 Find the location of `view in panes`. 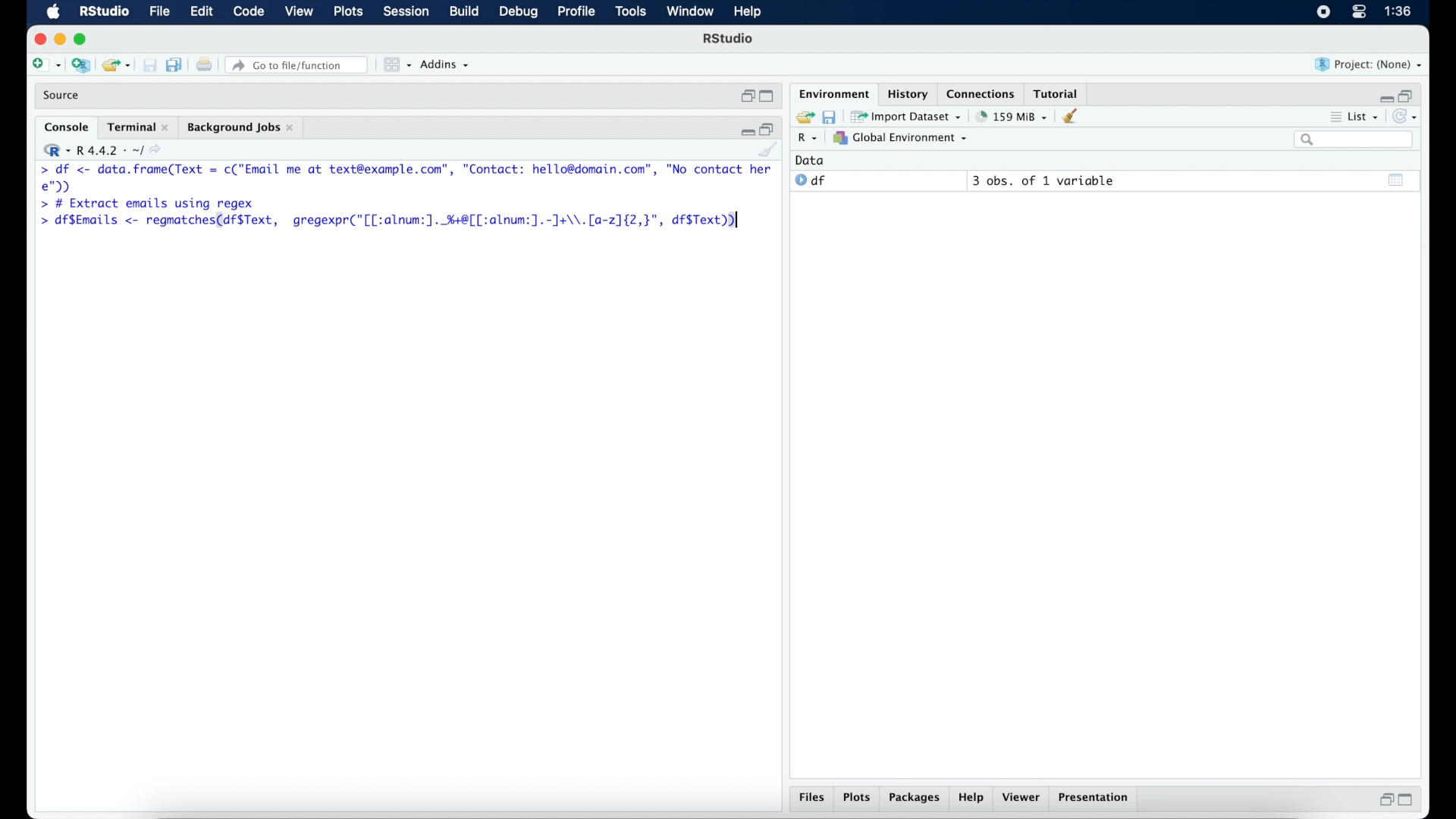

view in panes is located at coordinates (396, 65).